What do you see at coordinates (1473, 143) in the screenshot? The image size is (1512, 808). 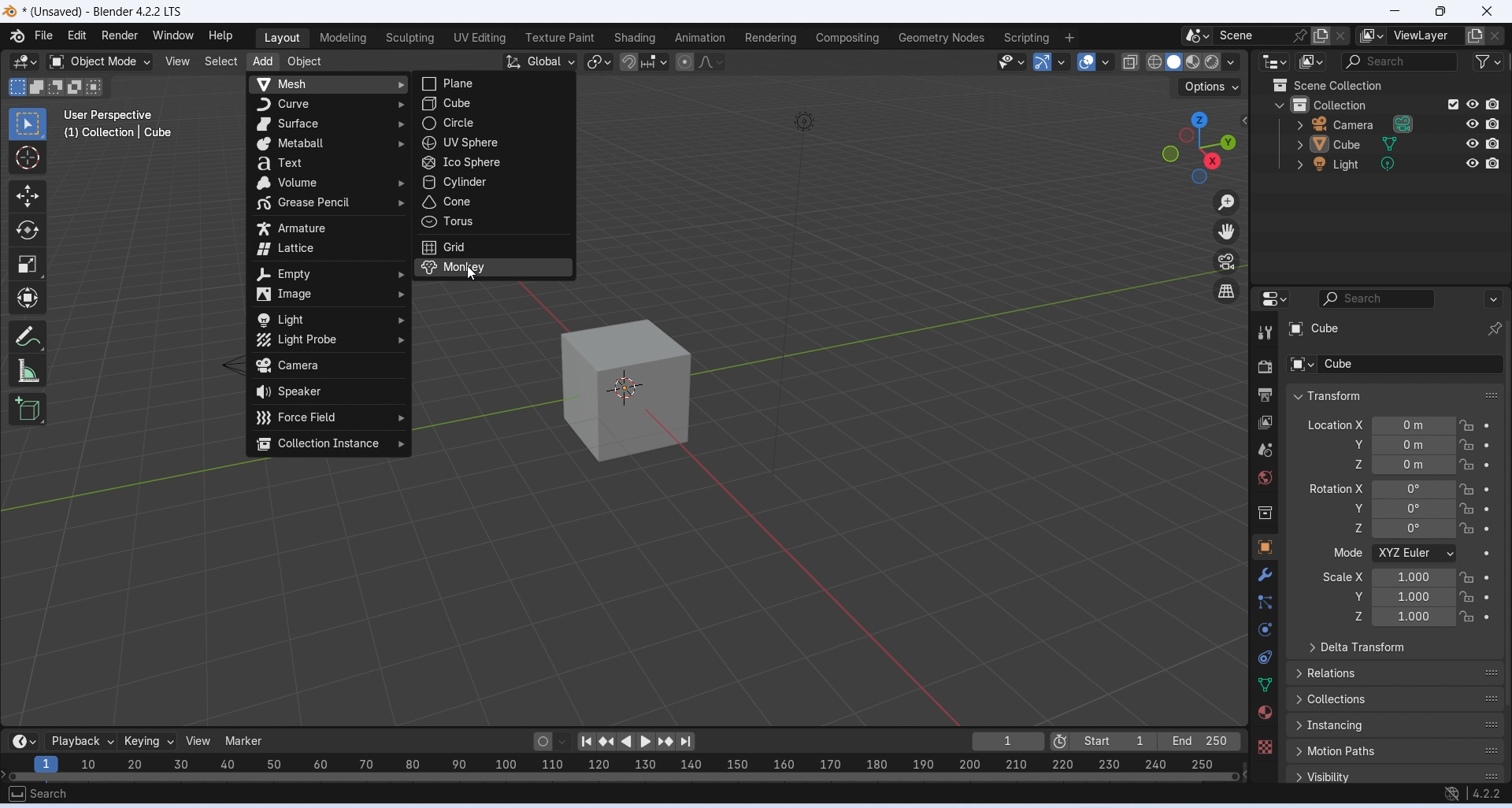 I see `hide in viewport` at bounding box center [1473, 143].